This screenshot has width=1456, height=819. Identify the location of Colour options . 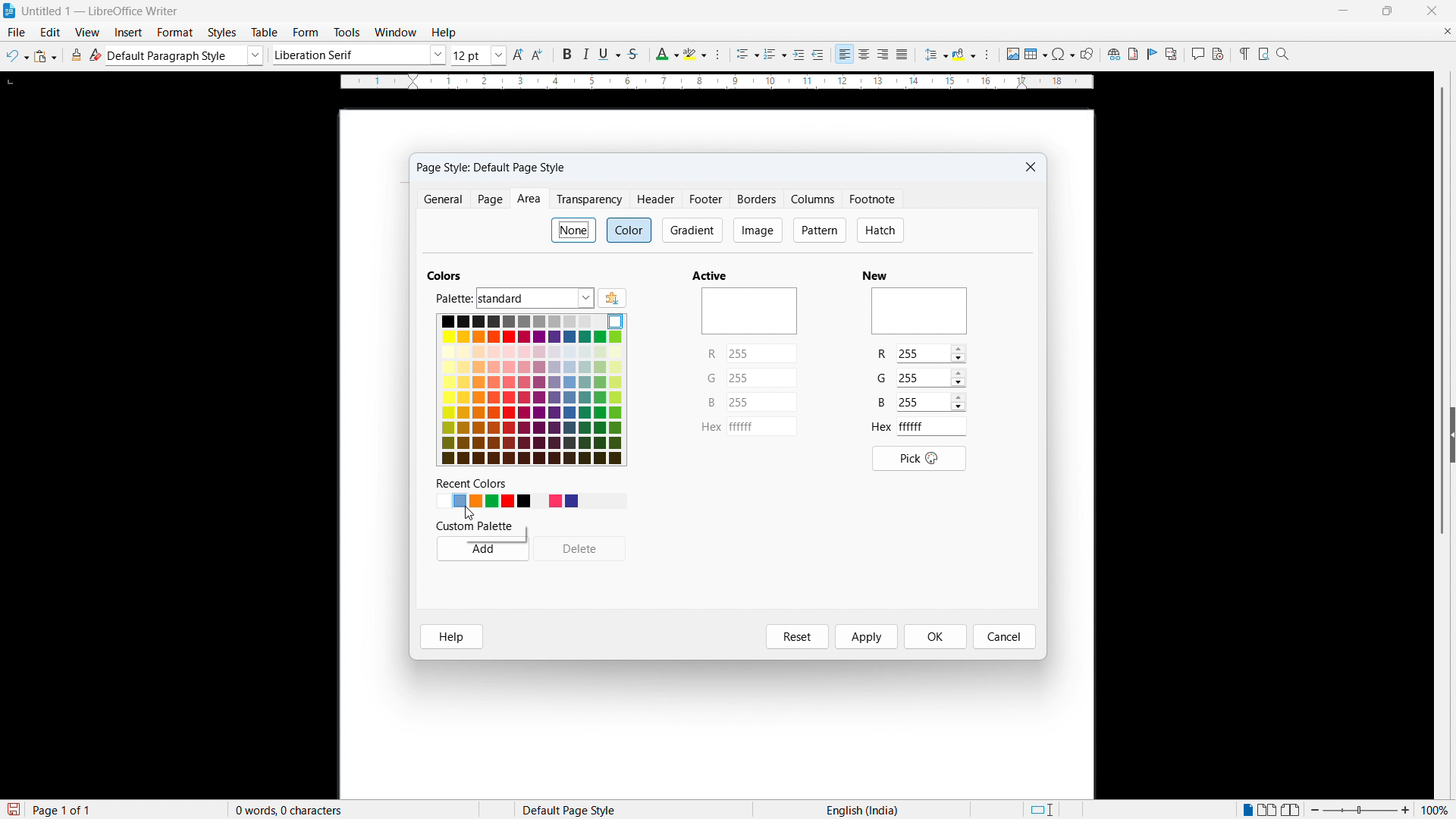
(532, 390).